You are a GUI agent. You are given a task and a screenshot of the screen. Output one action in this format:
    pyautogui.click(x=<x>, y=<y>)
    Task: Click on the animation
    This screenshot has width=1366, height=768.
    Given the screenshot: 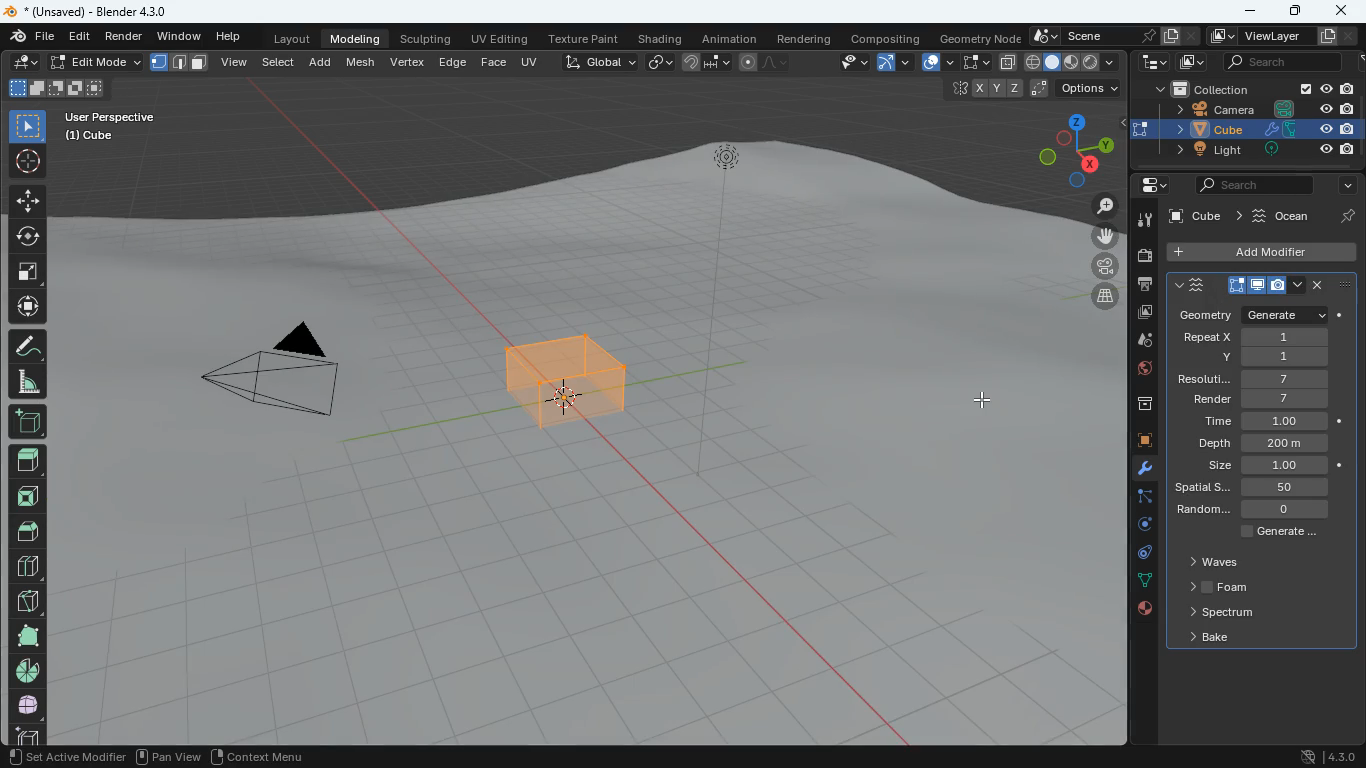 What is the action you would take?
    pyautogui.click(x=731, y=36)
    